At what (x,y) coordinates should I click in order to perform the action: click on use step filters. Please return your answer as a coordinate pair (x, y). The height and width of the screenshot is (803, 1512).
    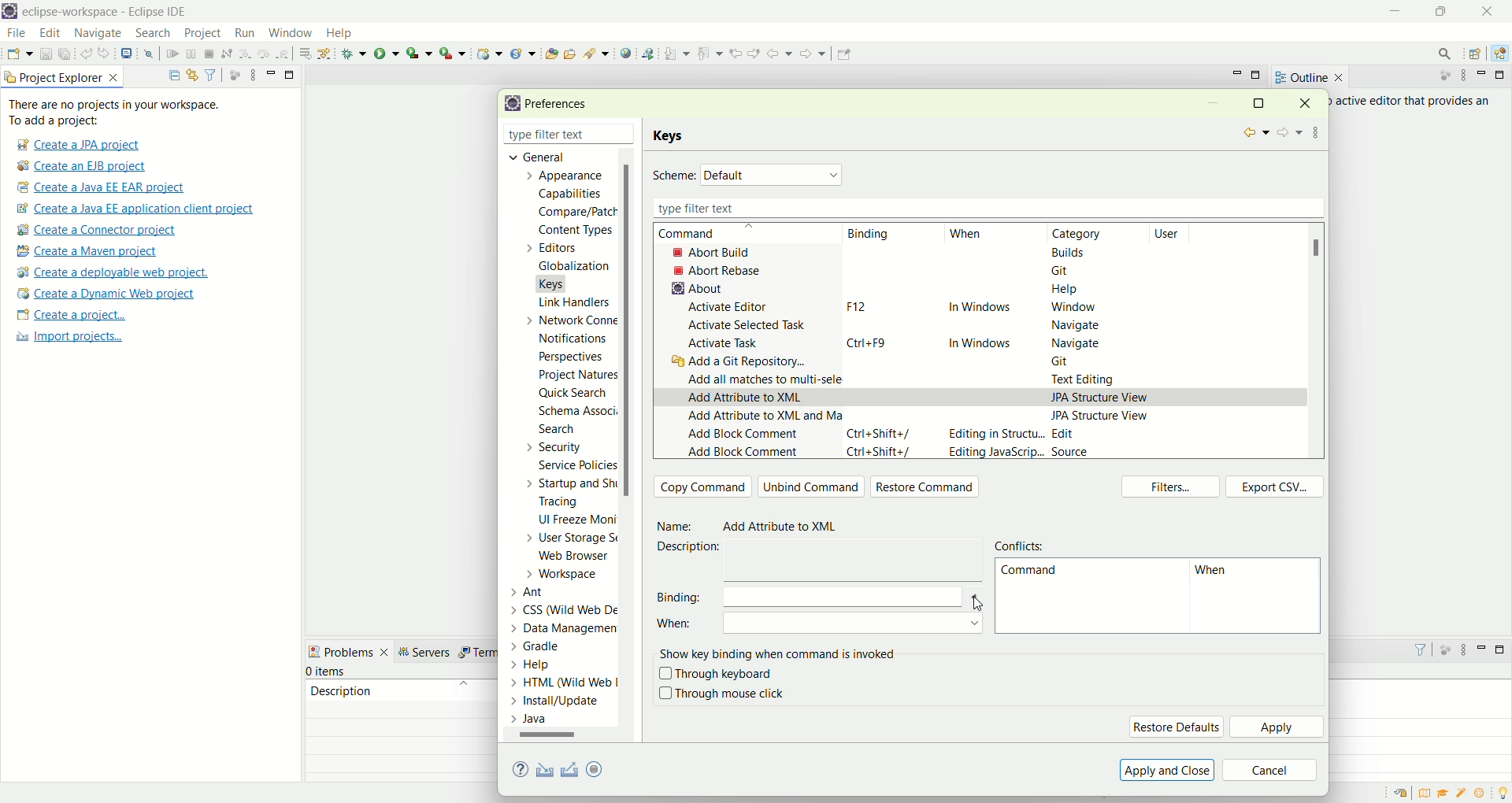
    Looking at the image, I should click on (325, 53).